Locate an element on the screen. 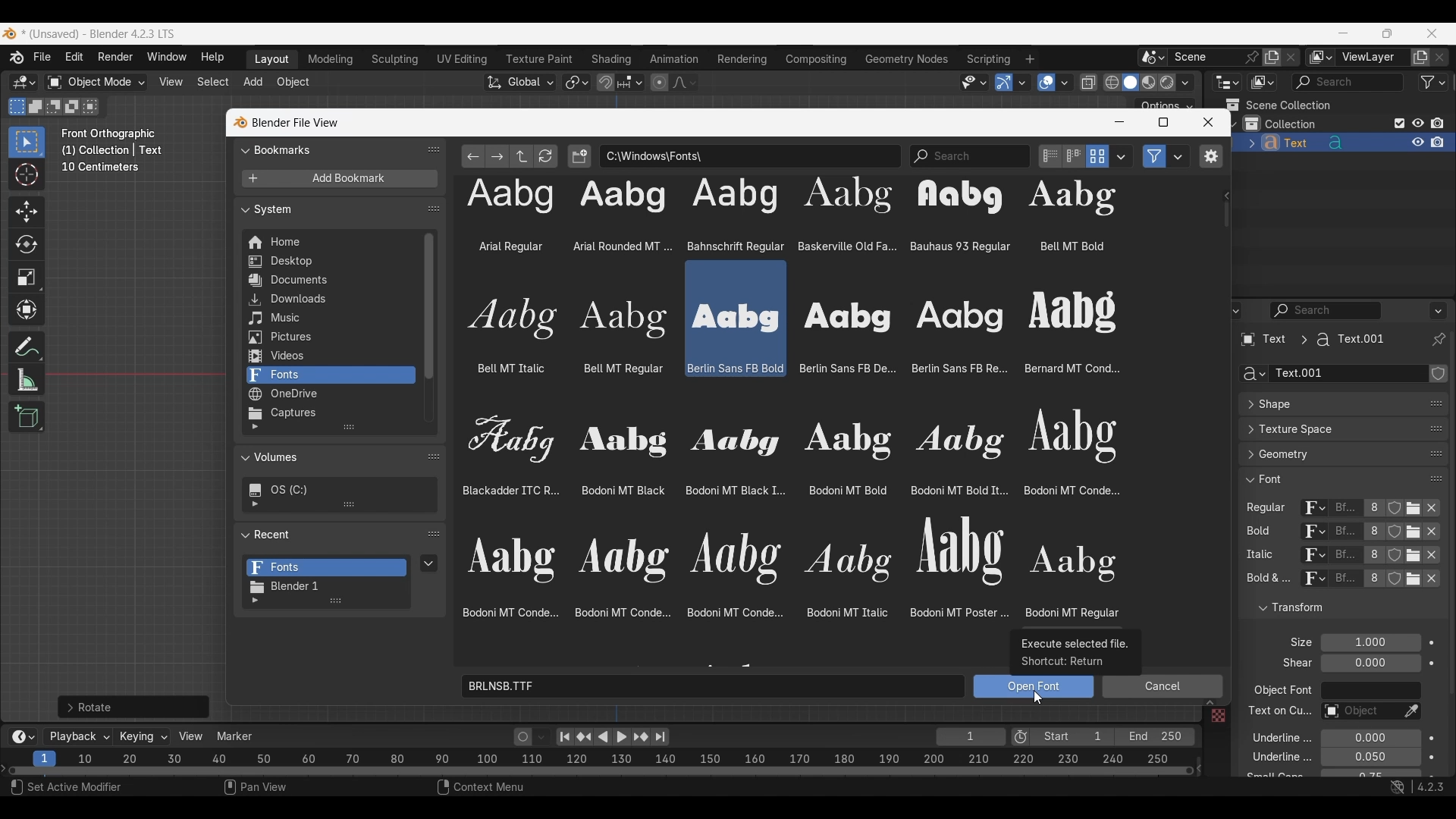 The image size is (1456, 819). Help menu is located at coordinates (211, 58).